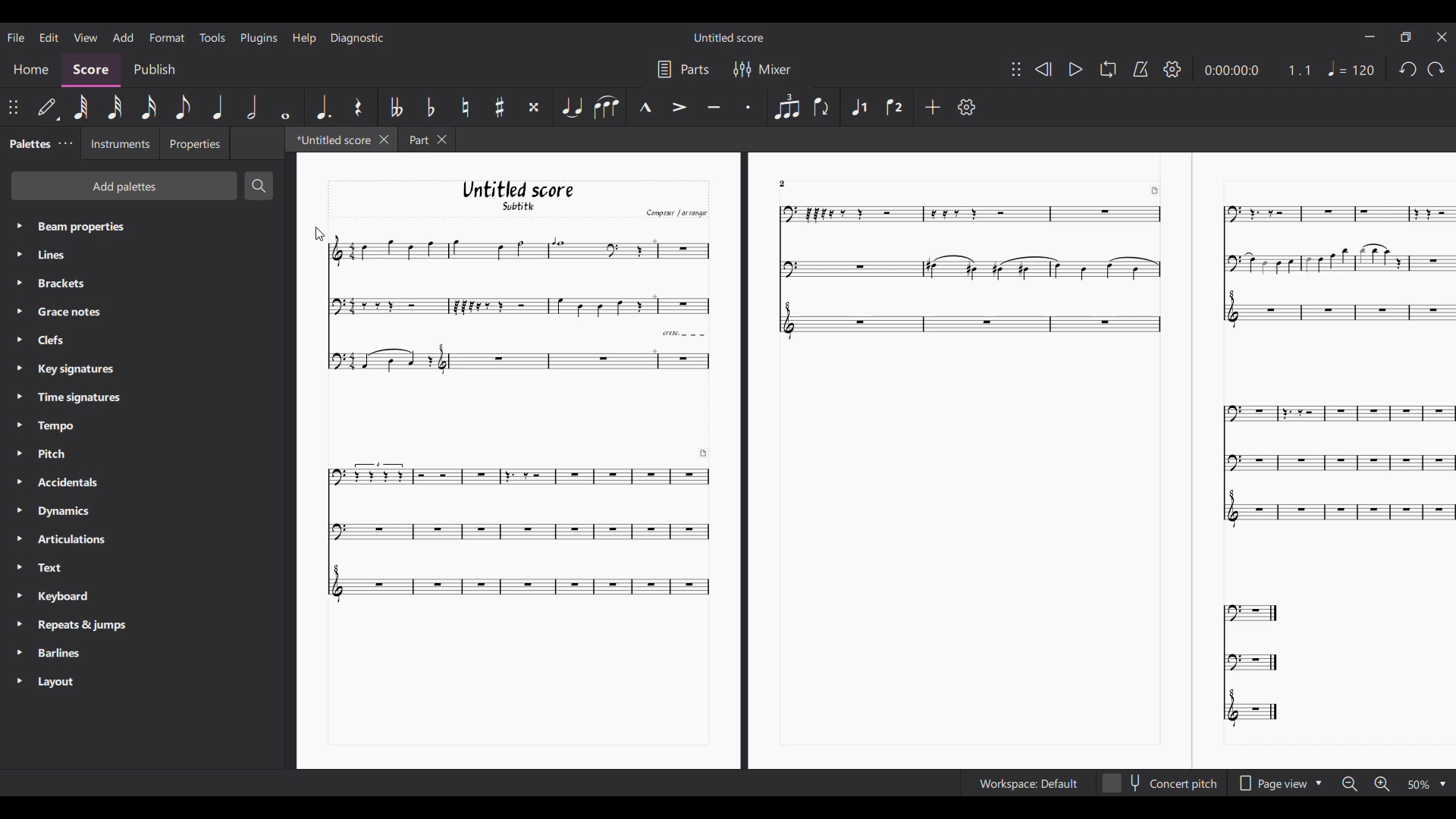  Describe the element at coordinates (523, 306) in the screenshot. I see `` at that location.